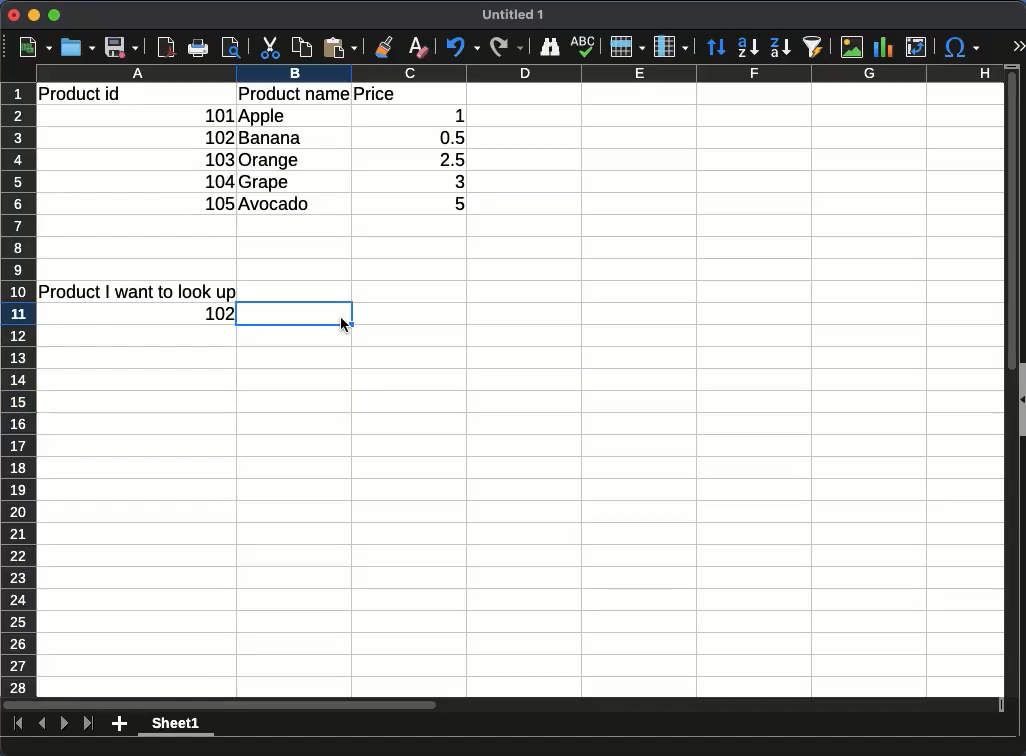  I want to click on finder, so click(550, 47).